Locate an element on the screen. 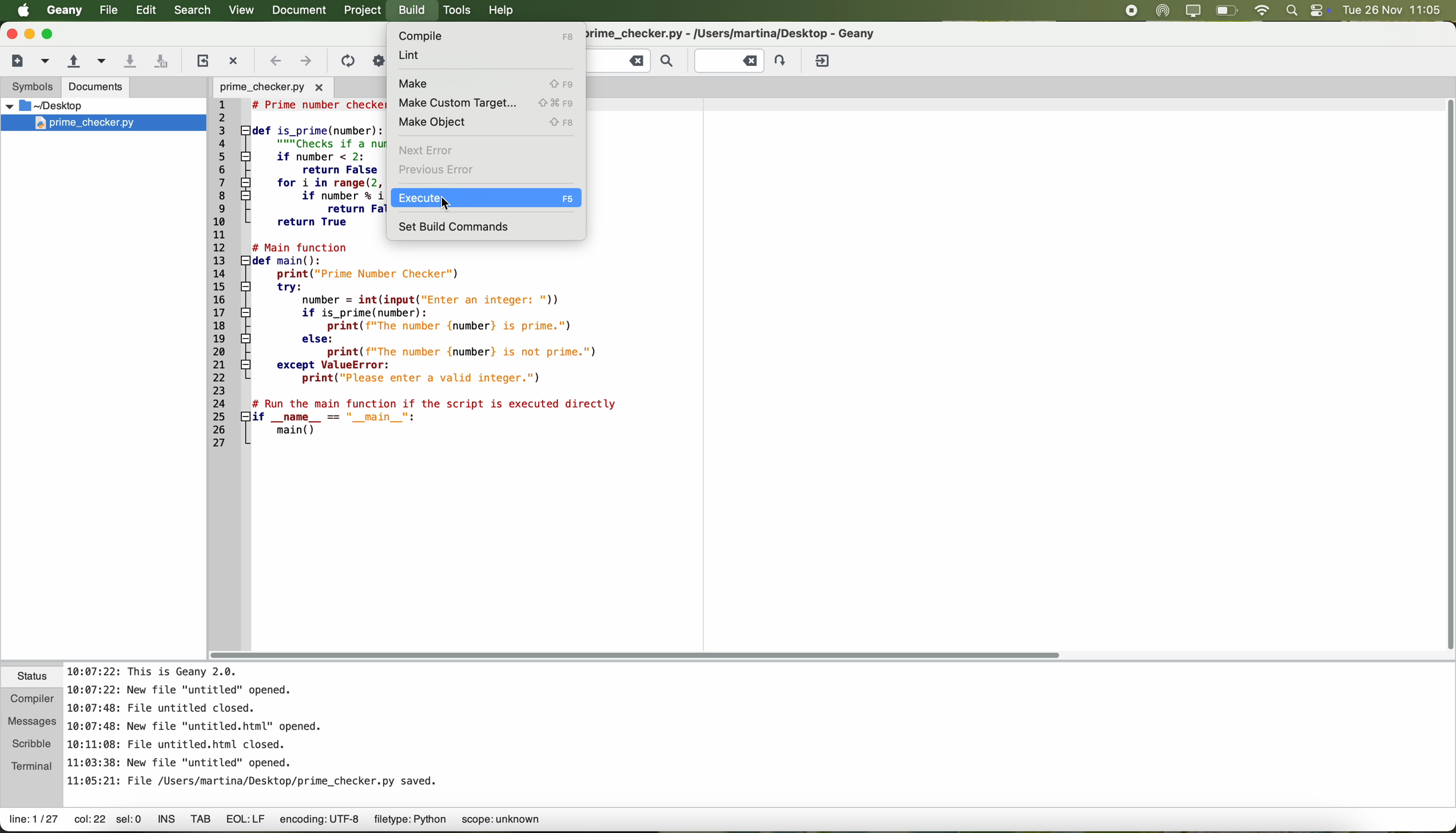 This screenshot has height=833, width=1456. make object is located at coordinates (486, 122).